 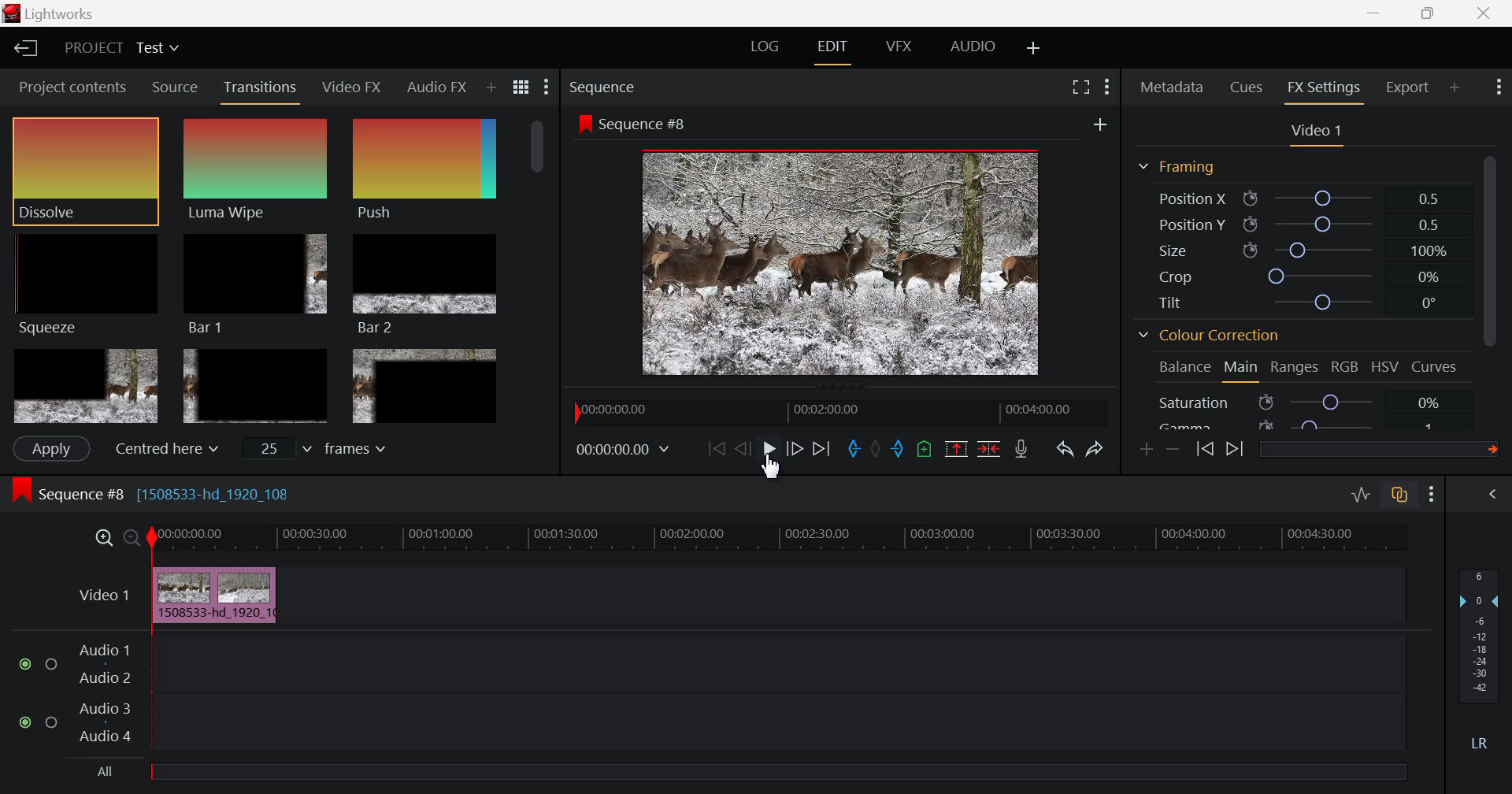 I want to click on Remove all marks, so click(x=875, y=448).